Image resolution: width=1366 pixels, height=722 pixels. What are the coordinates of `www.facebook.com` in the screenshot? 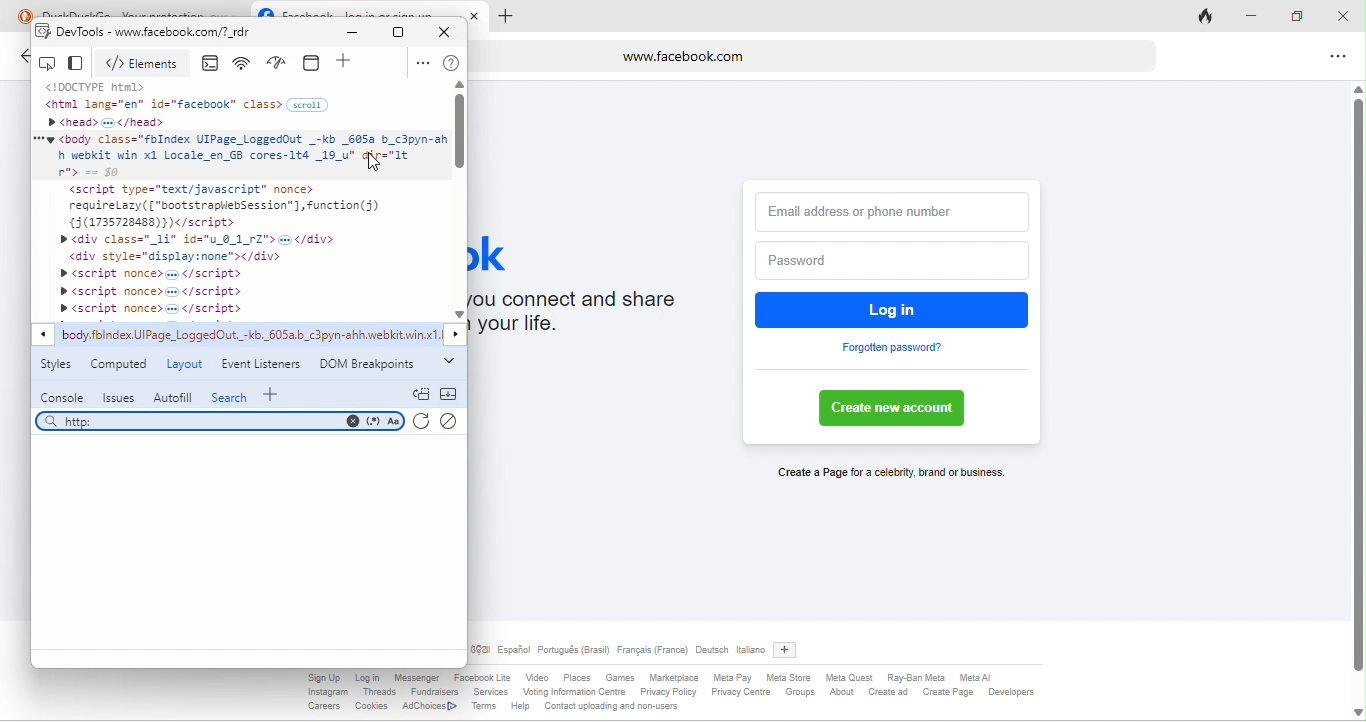 It's located at (815, 55).